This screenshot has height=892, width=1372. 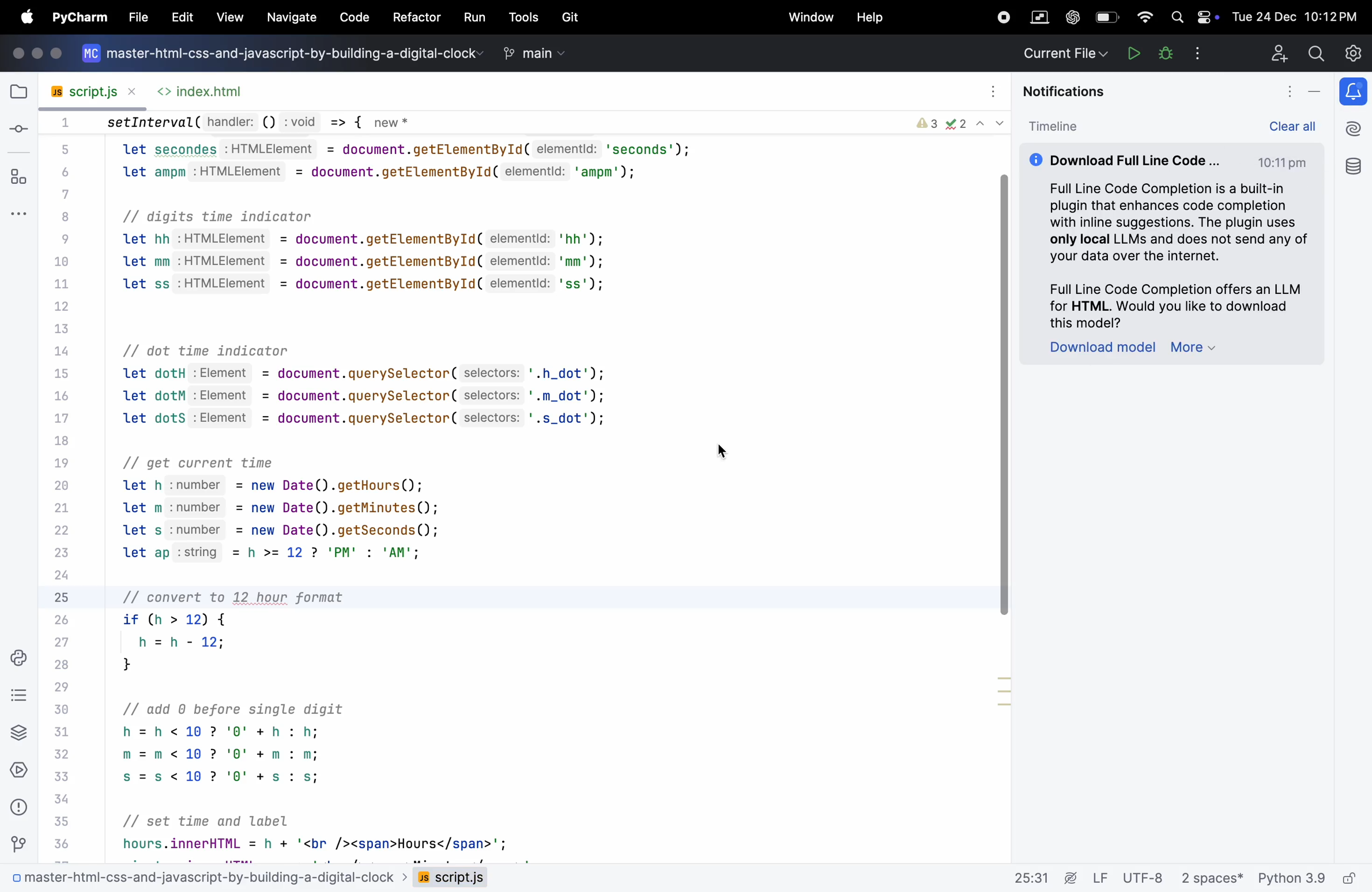 What do you see at coordinates (20, 807) in the screenshot?
I see `problems` at bounding box center [20, 807].